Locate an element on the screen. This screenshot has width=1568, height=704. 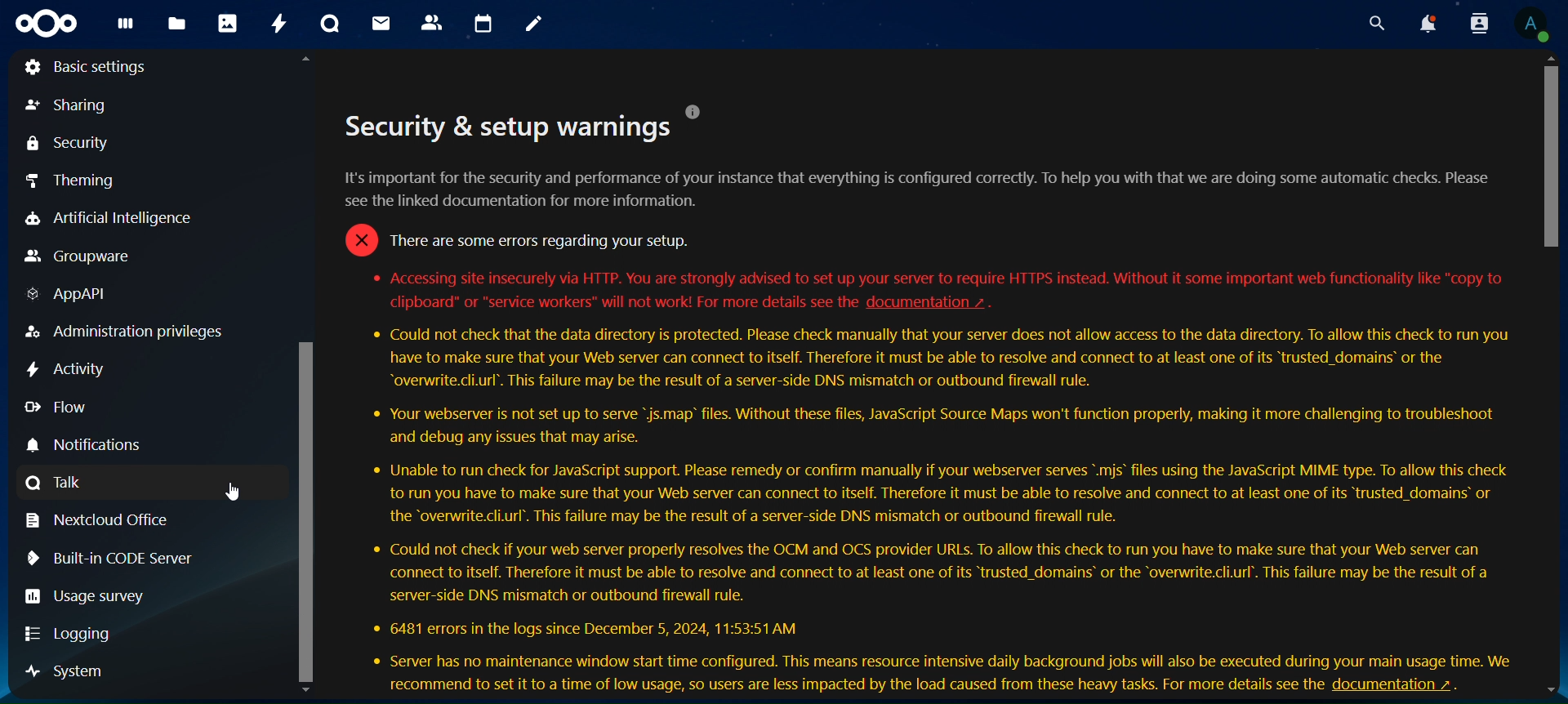
sharing is located at coordinates (89, 110).